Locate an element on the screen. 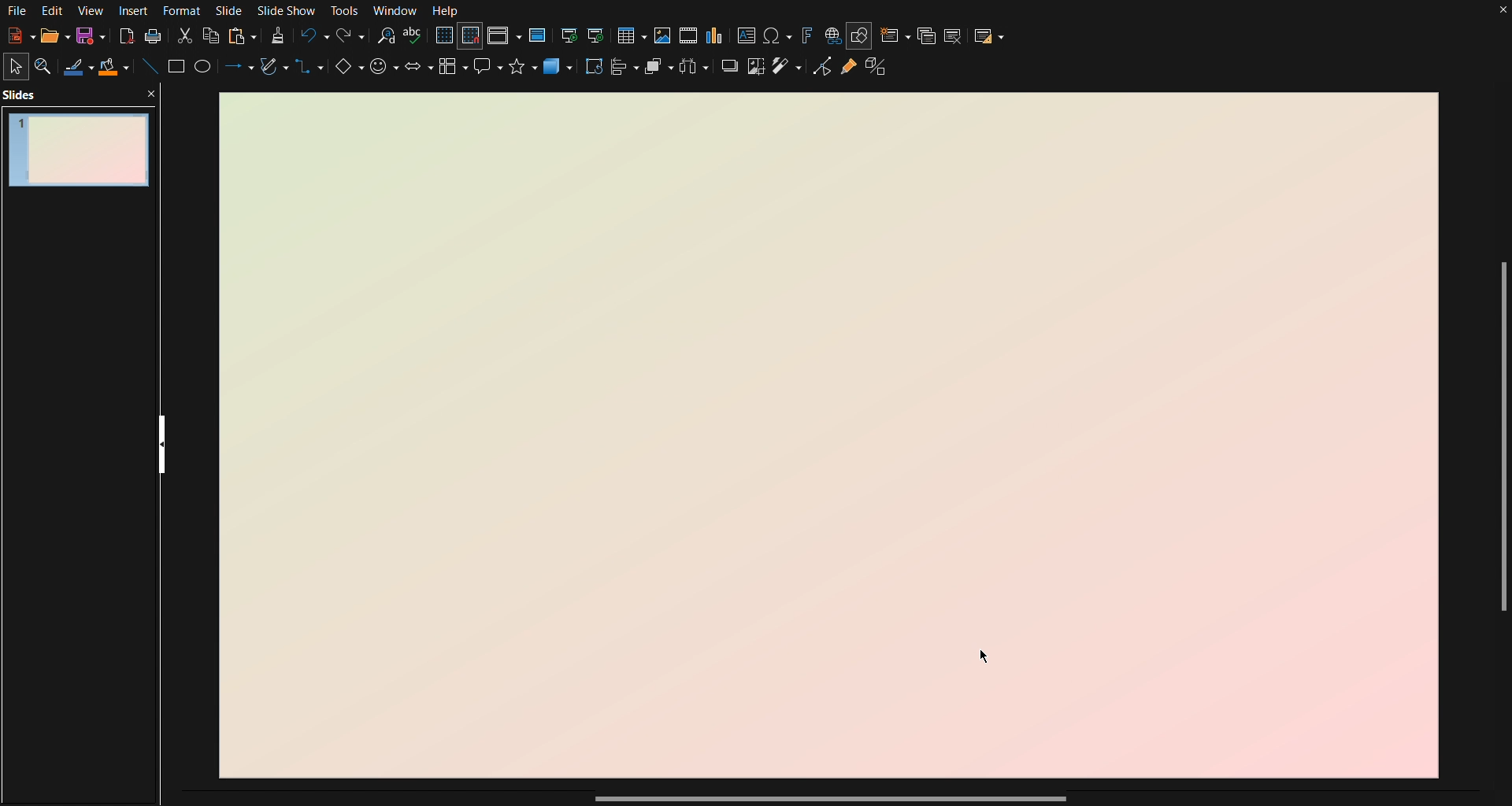 Image resolution: width=1512 pixels, height=806 pixels. Window is located at coordinates (395, 11).